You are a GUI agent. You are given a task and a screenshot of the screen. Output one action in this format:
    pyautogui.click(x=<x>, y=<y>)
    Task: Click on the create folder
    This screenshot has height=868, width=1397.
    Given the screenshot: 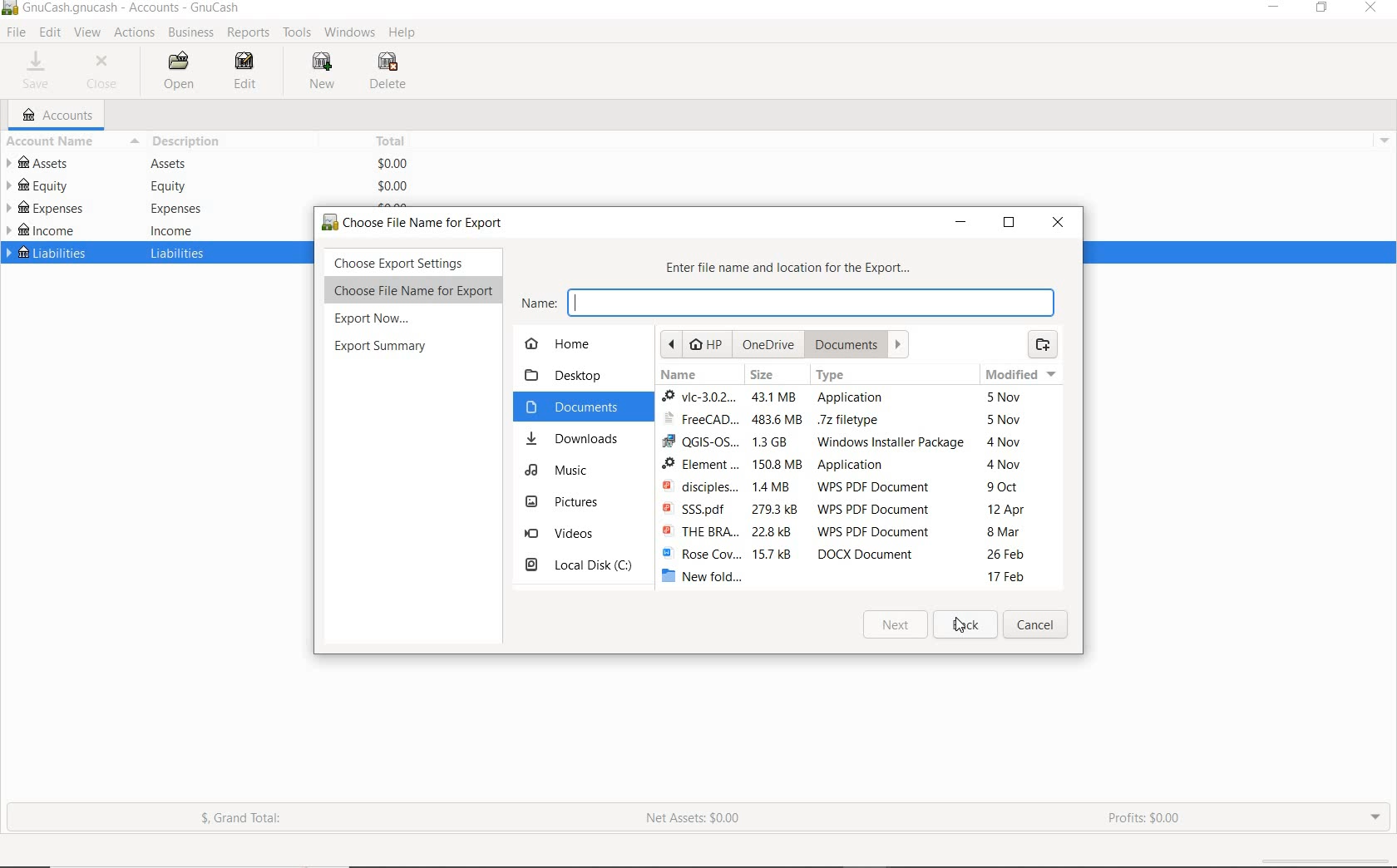 What is the action you would take?
    pyautogui.click(x=1044, y=345)
    